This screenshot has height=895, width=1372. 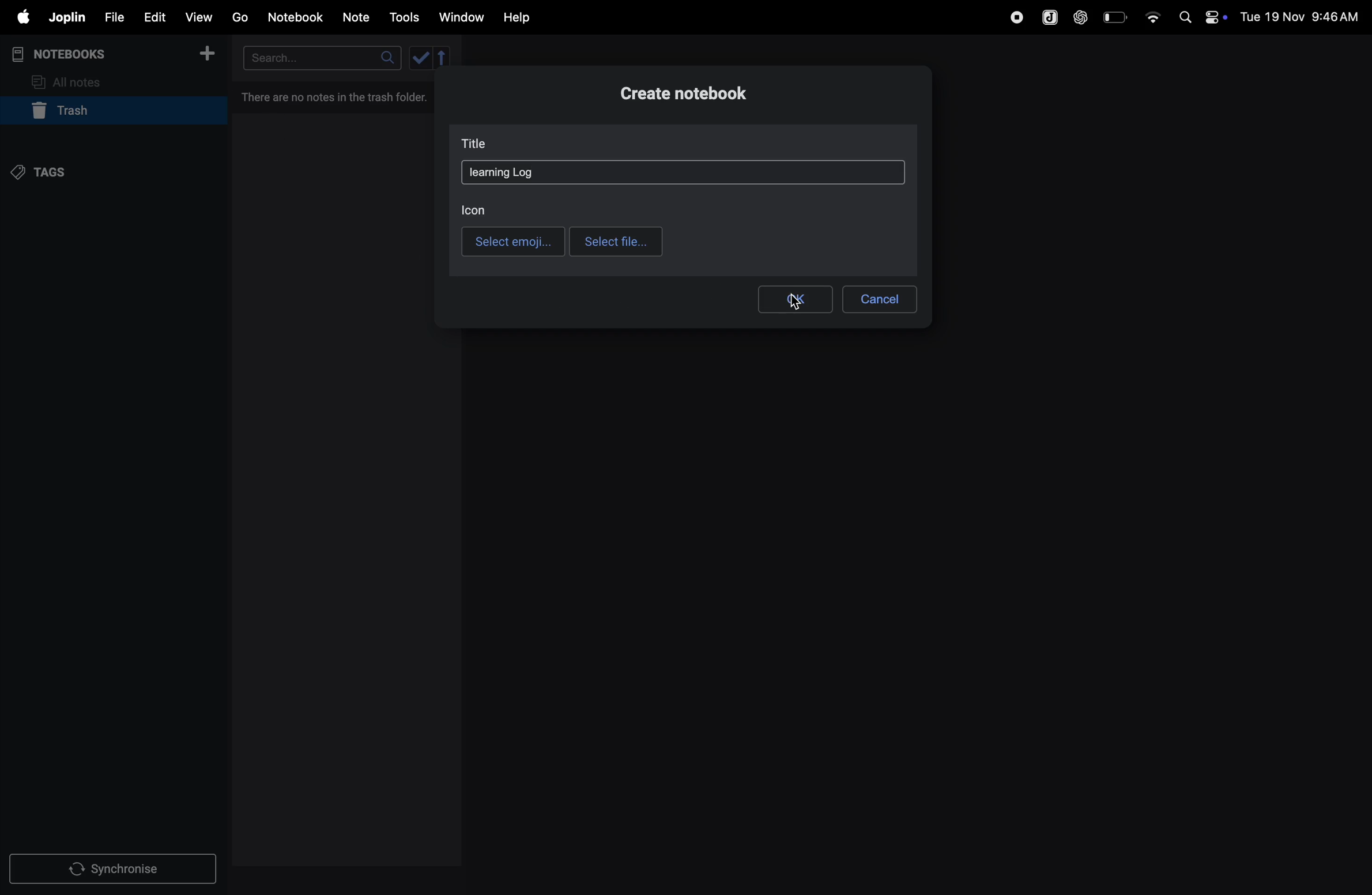 What do you see at coordinates (1081, 16) in the screenshot?
I see `chatgpt` at bounding box center [1081, 16].